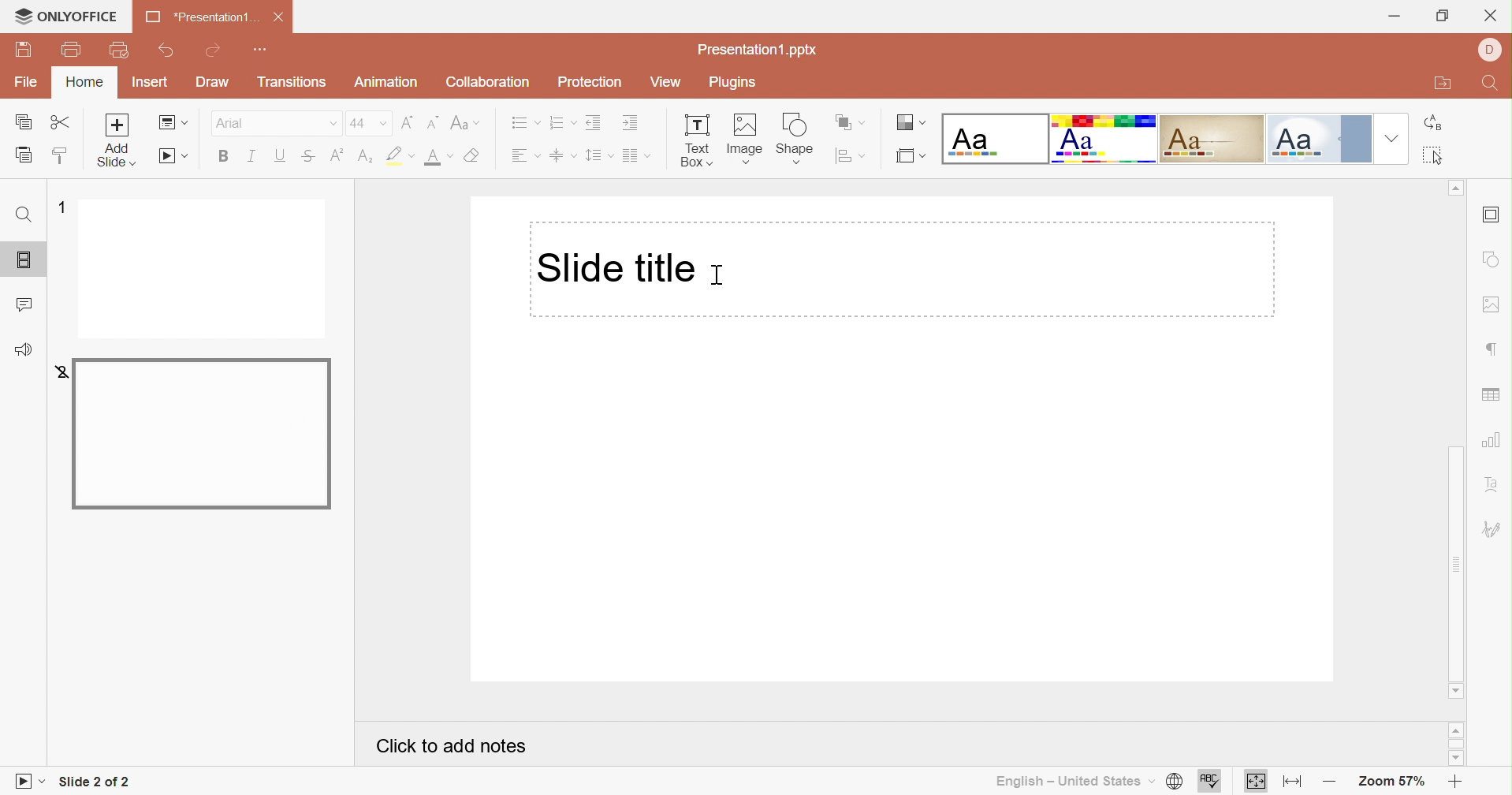  What do you see at coordinates (292, 82) in the screenshot?
I see `Transitions` at bounding box center [292, 82].